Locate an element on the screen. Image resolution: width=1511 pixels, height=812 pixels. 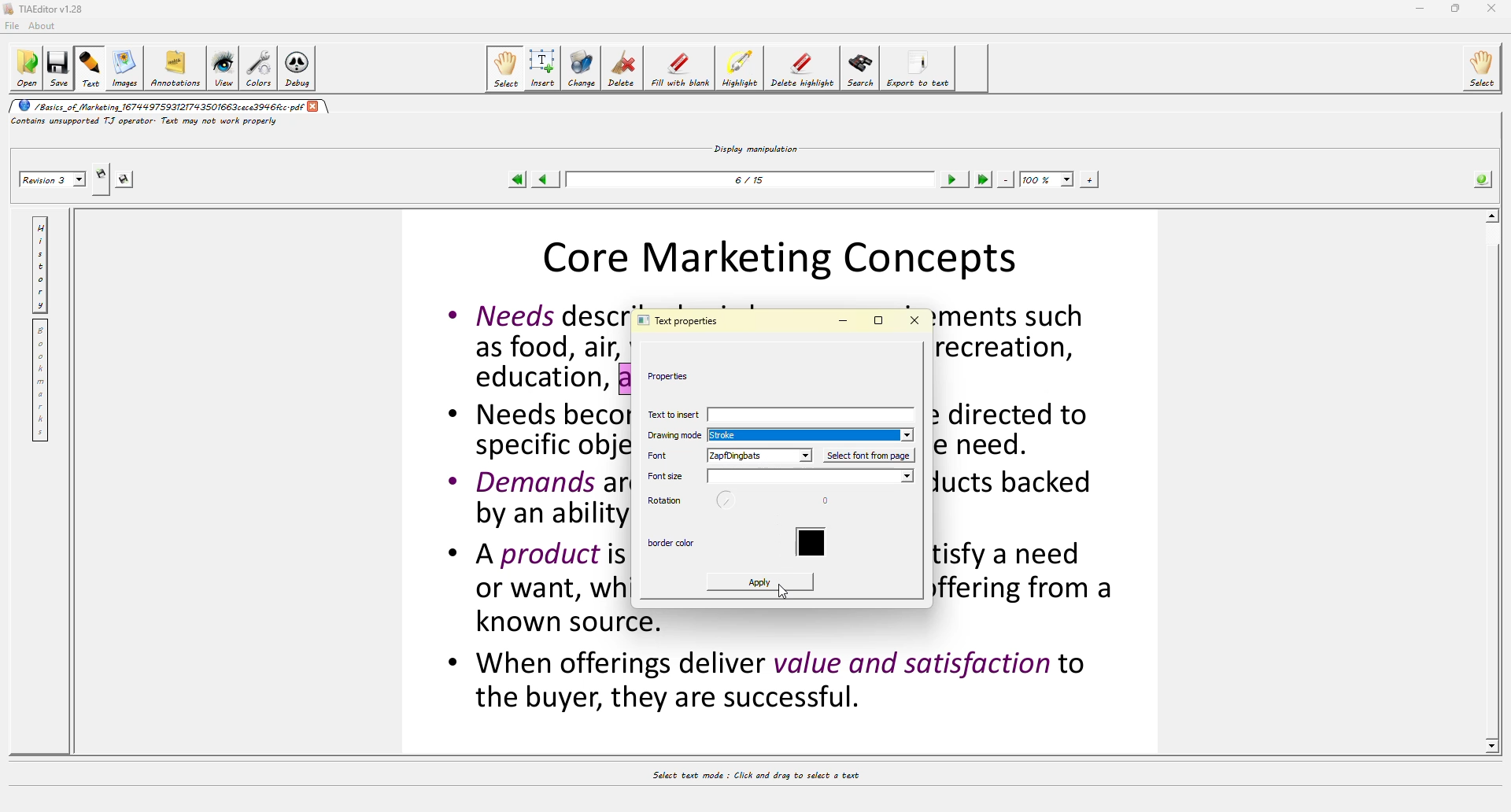
export to text is located at coordinates (914, 66).